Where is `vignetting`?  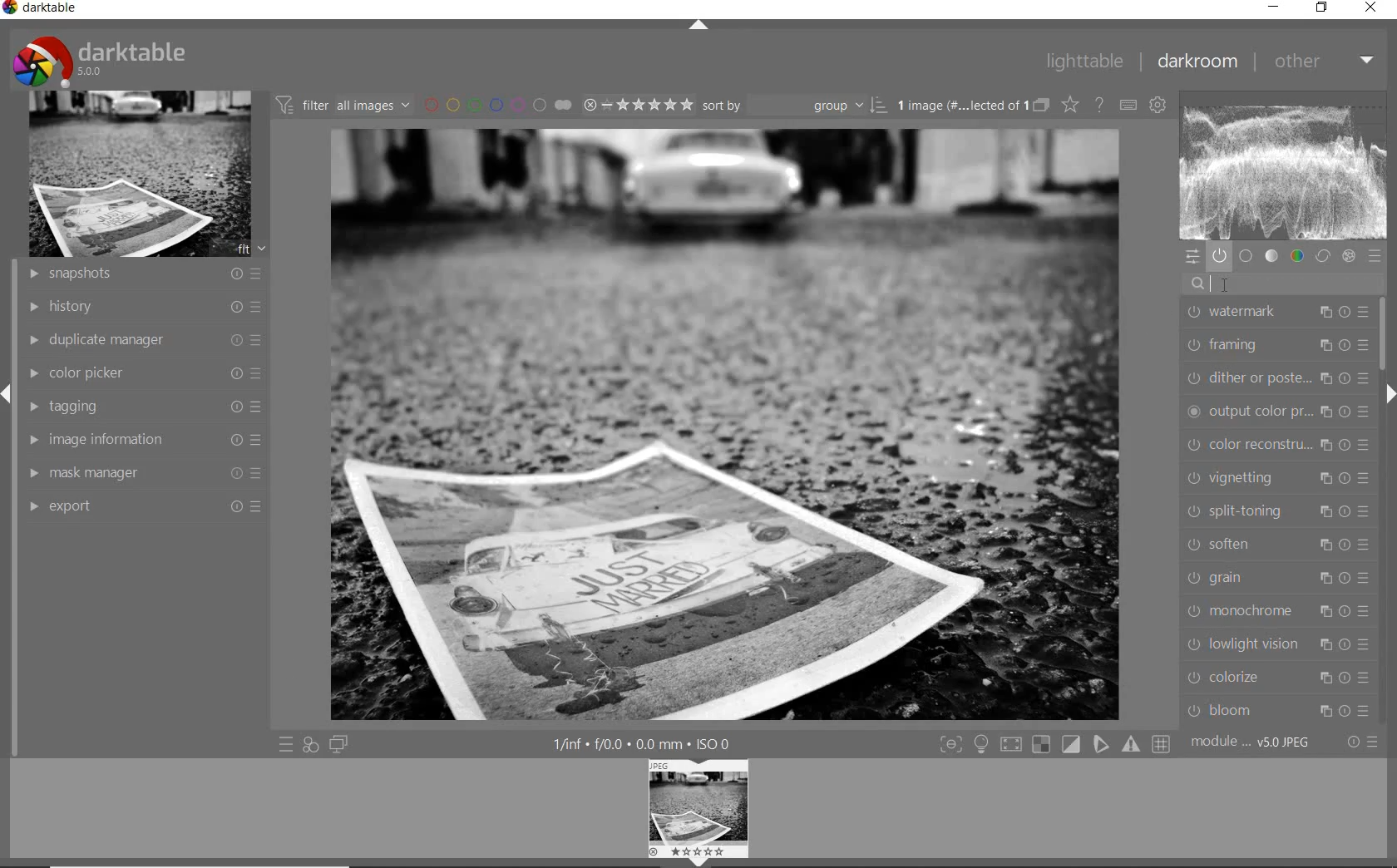
vignetting is located at coordinates (1275, 480).